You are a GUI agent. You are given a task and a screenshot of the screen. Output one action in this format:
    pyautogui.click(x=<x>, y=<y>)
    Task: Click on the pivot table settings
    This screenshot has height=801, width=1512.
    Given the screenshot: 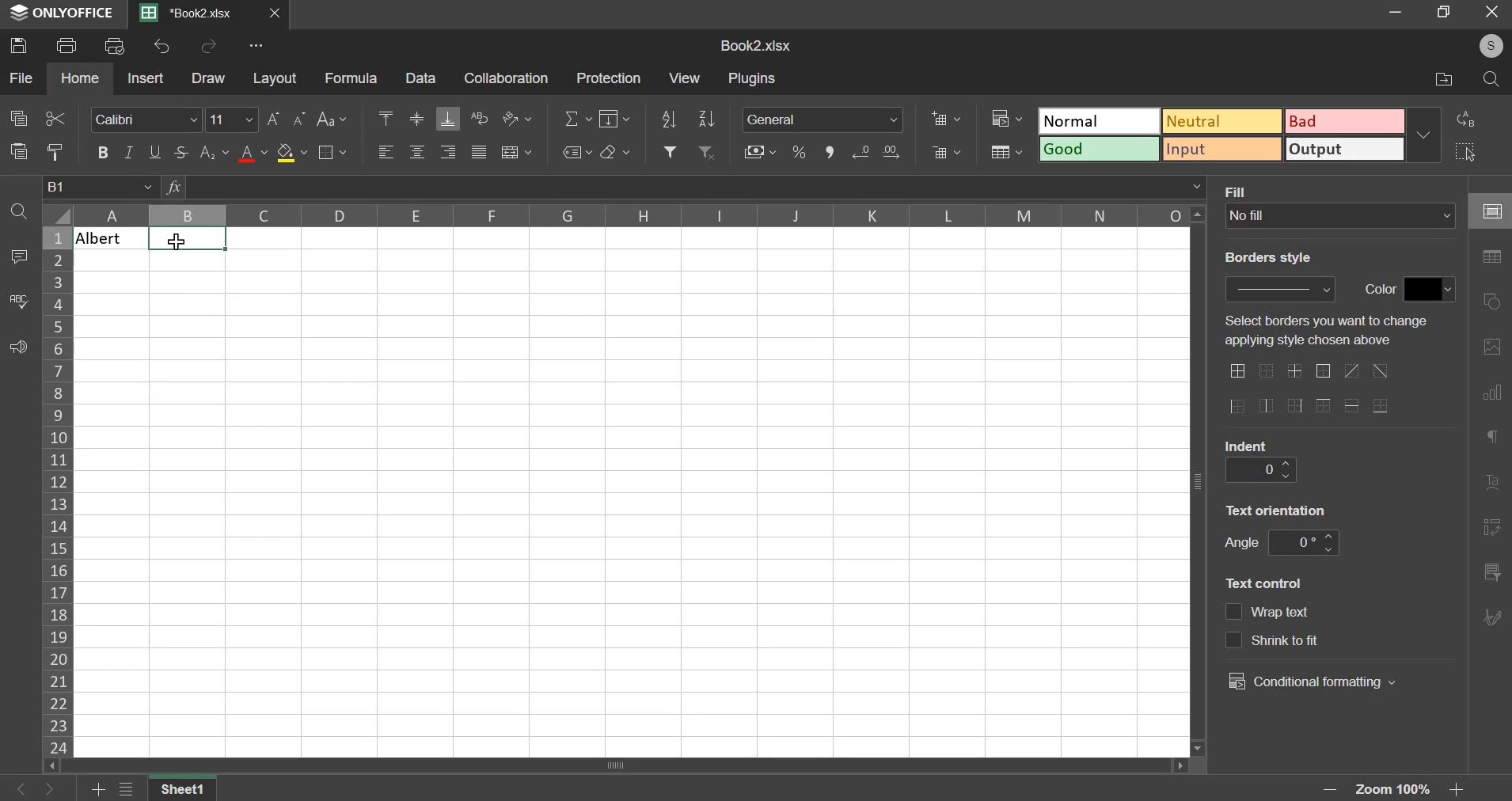 What is the action you would take?
    pyautogui.click(x=1492, y=529)
    